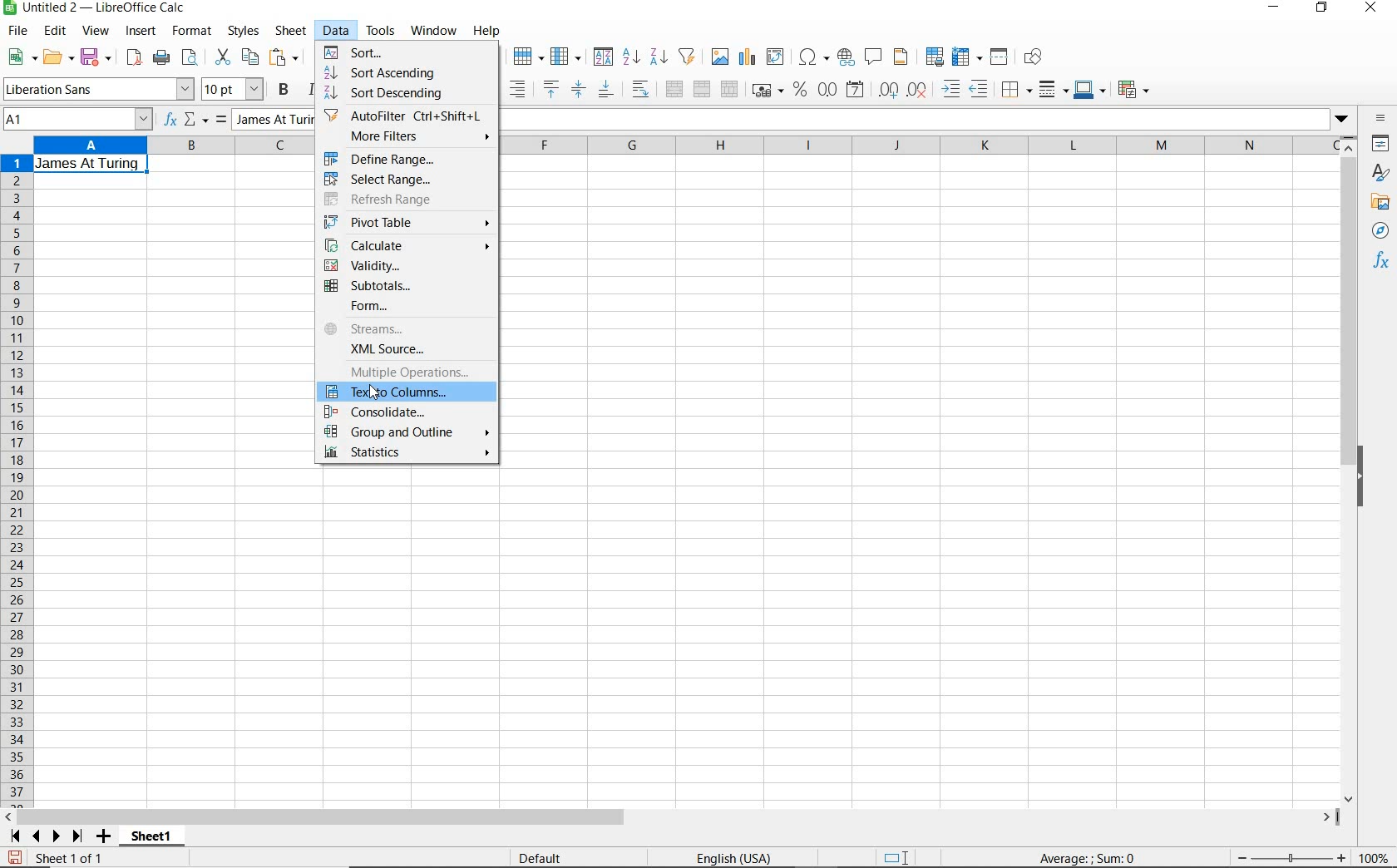  I want to click on file, so click(16, 32).